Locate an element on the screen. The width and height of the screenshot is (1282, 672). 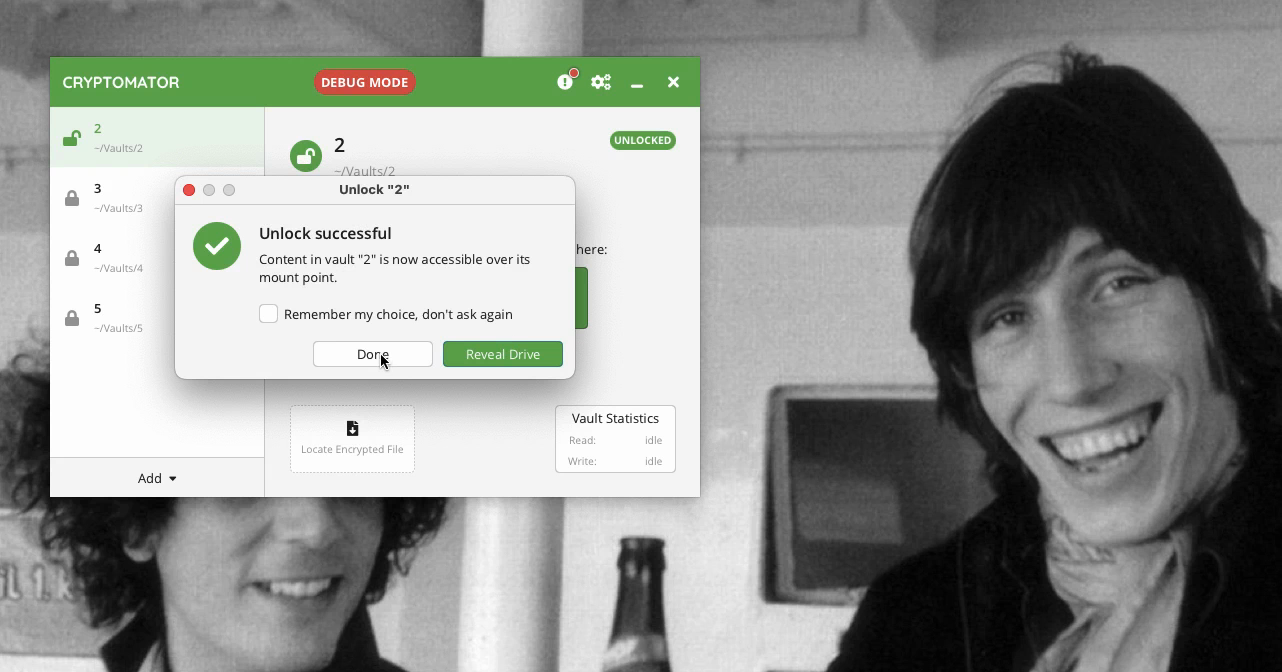
Unlock successful is located at coordinates (329, 233).